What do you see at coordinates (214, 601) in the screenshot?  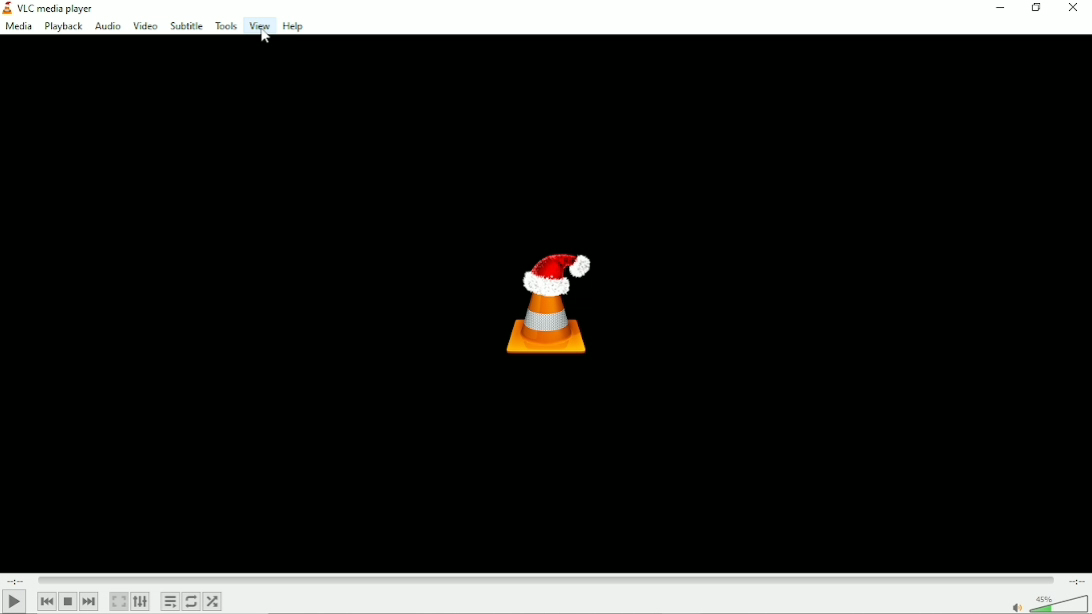 I see `Random` at bounding box center [214, 601].